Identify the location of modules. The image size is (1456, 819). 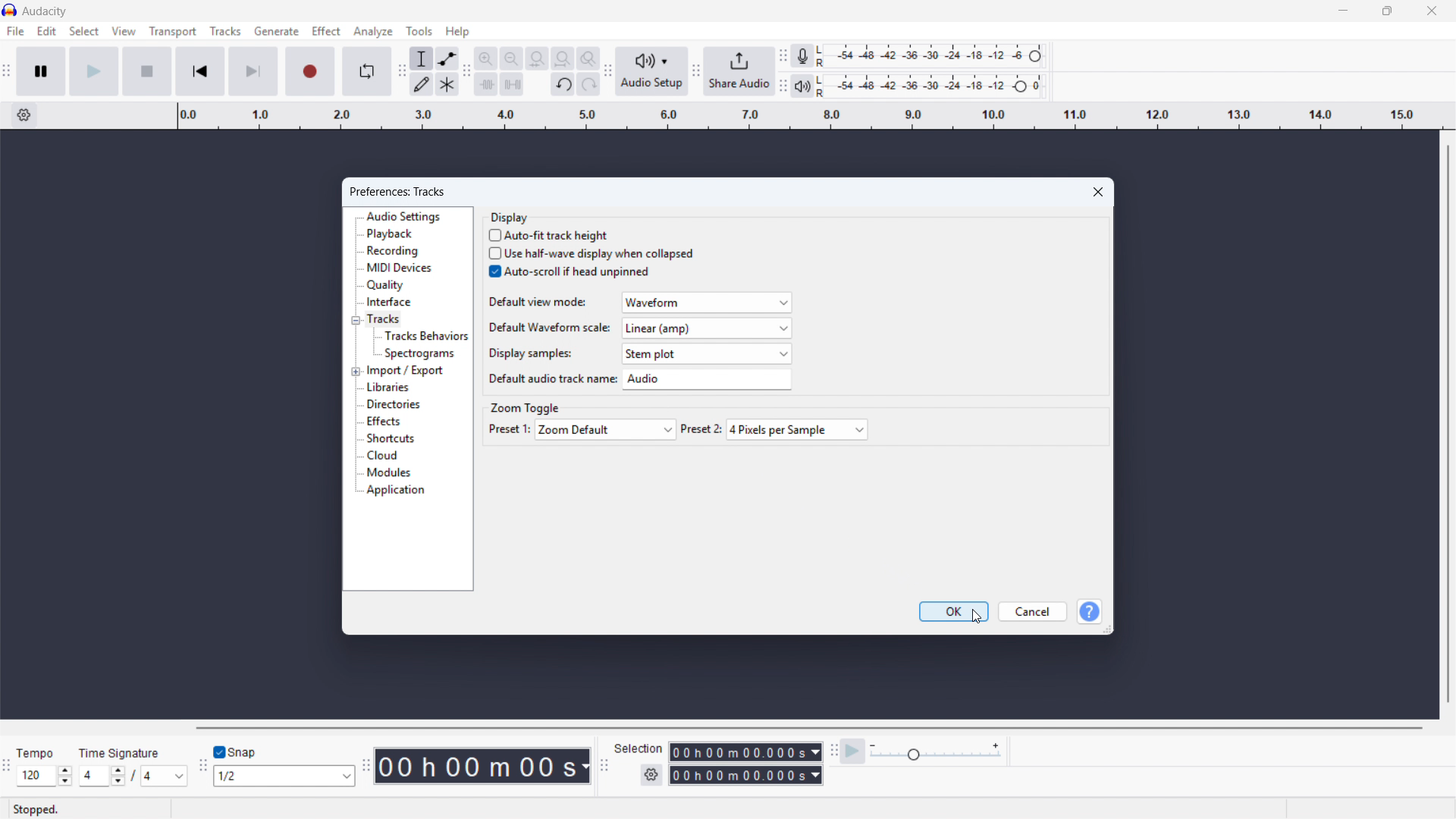
(390, 472).